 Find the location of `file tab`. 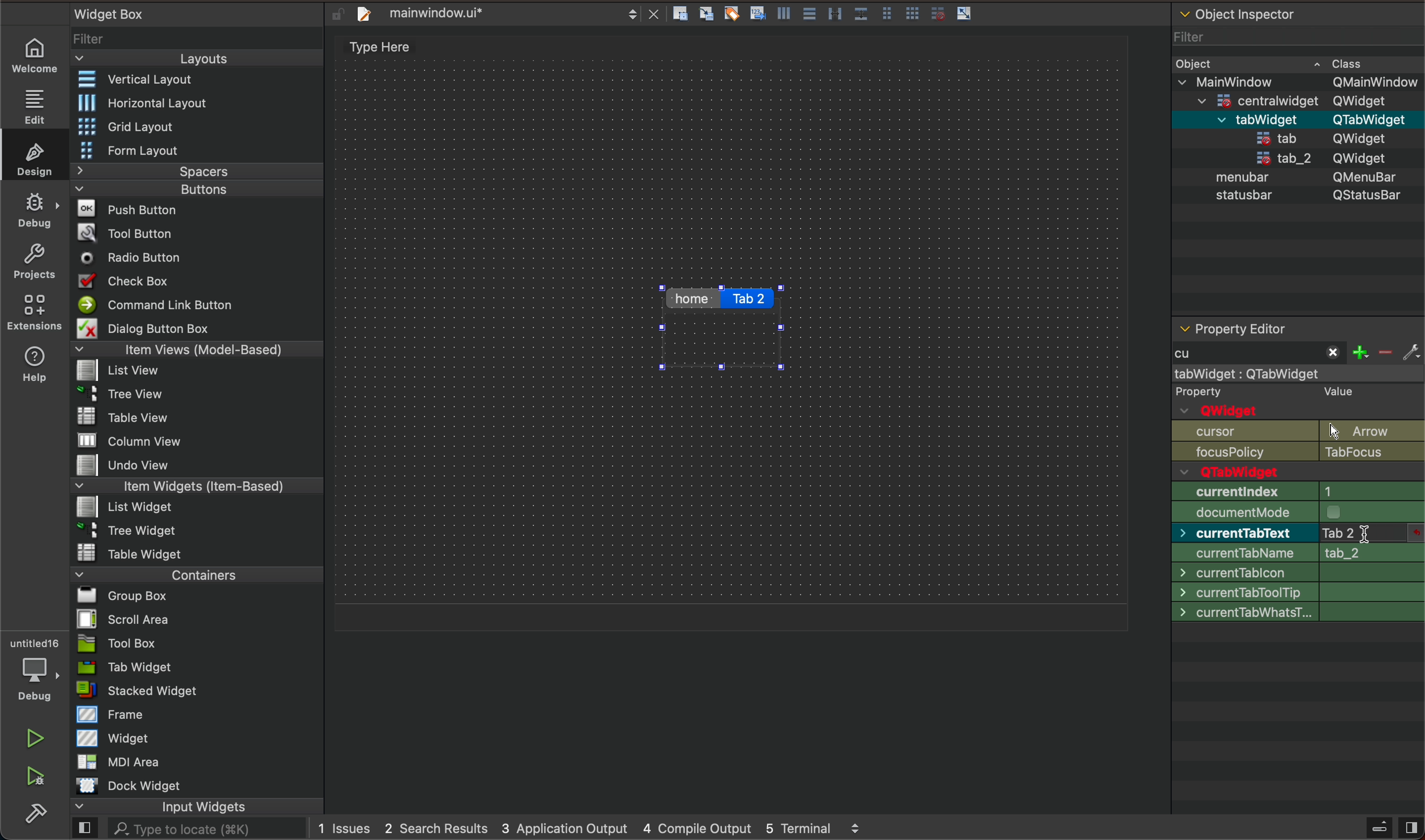

file tab is located at coordinates (502, 14).